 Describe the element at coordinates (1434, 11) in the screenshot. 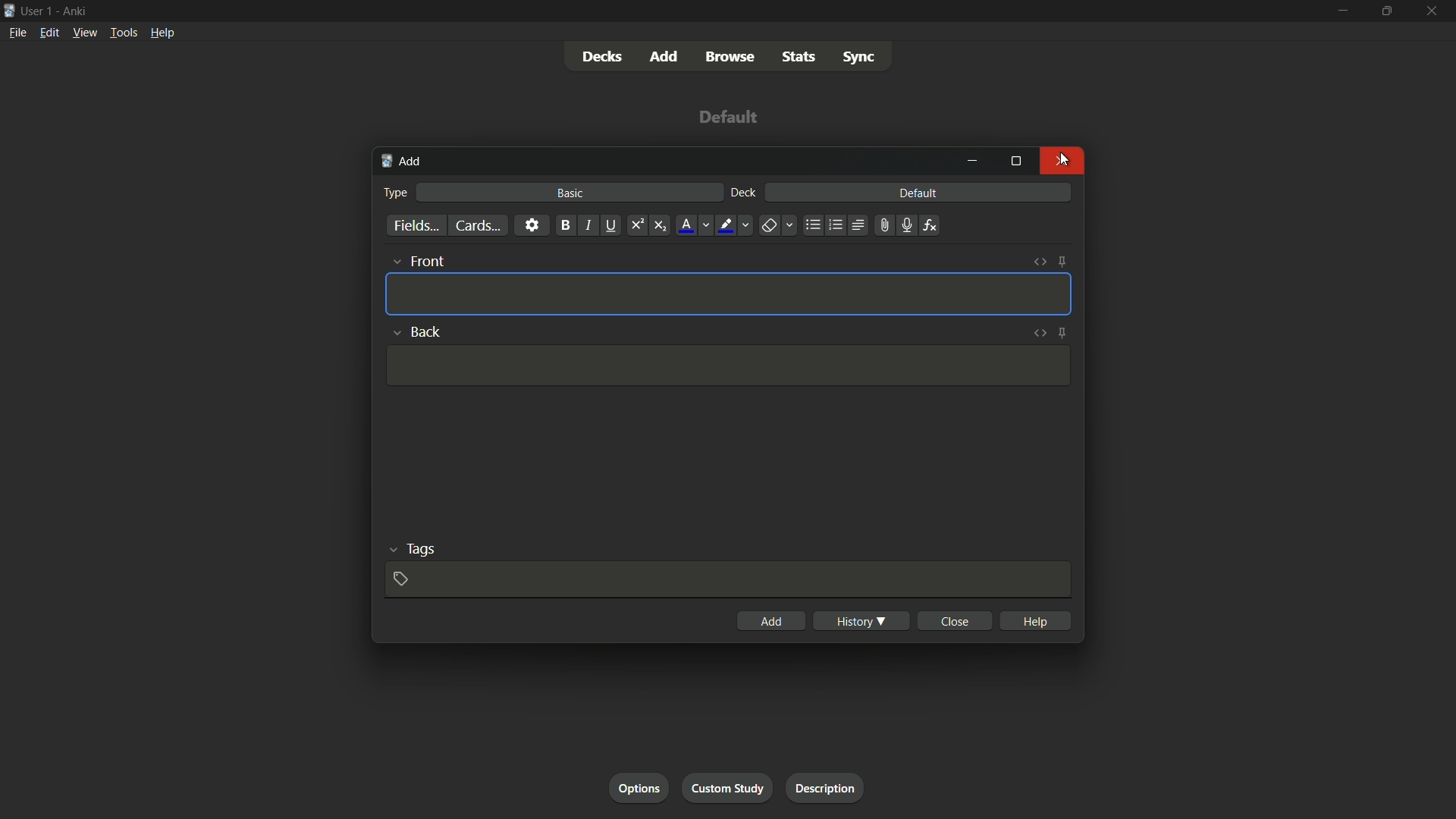

I see `close app` at that location.